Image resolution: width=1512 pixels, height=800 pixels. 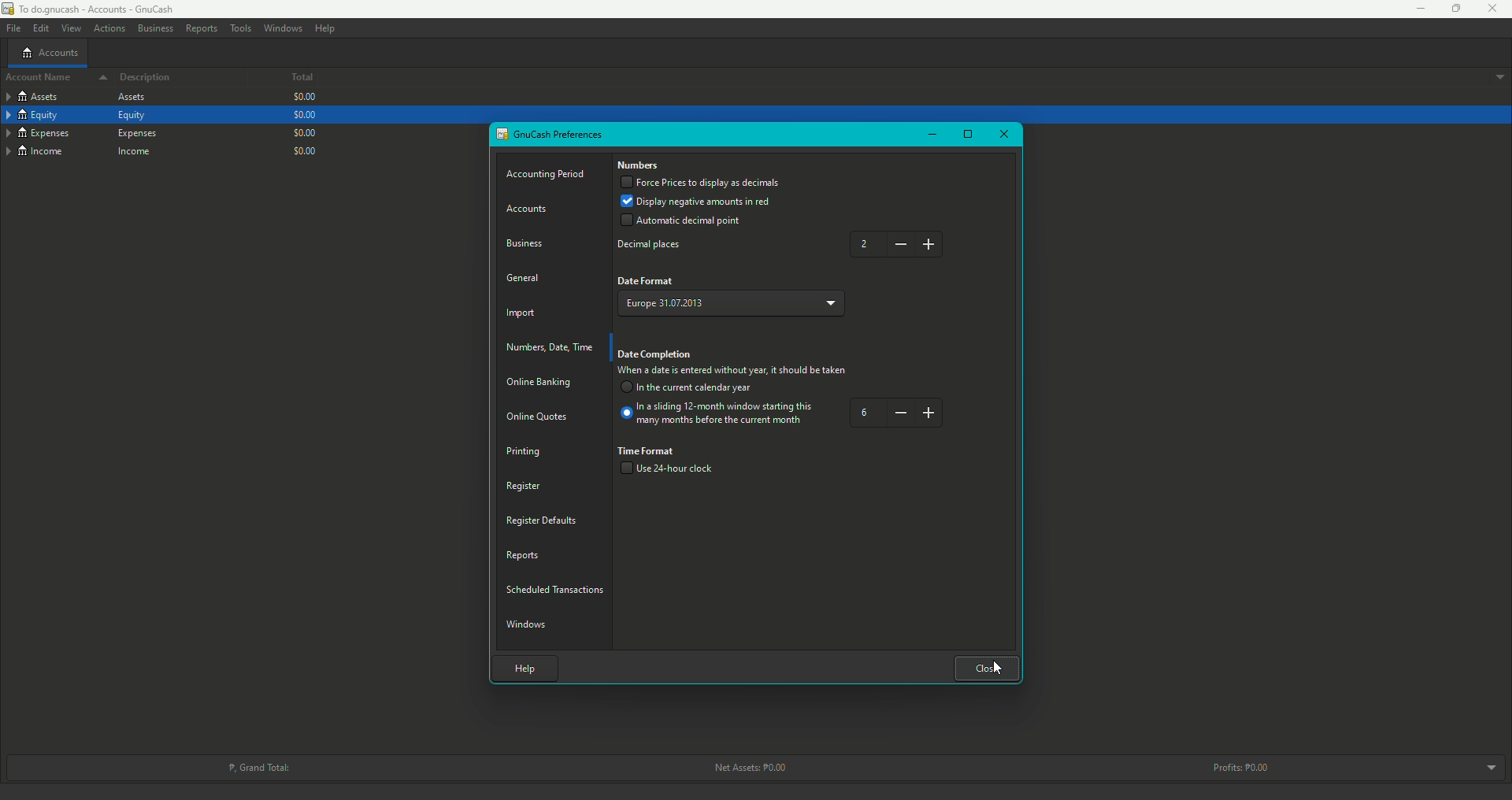 I want to click on Import, so click(x=524, y=315).